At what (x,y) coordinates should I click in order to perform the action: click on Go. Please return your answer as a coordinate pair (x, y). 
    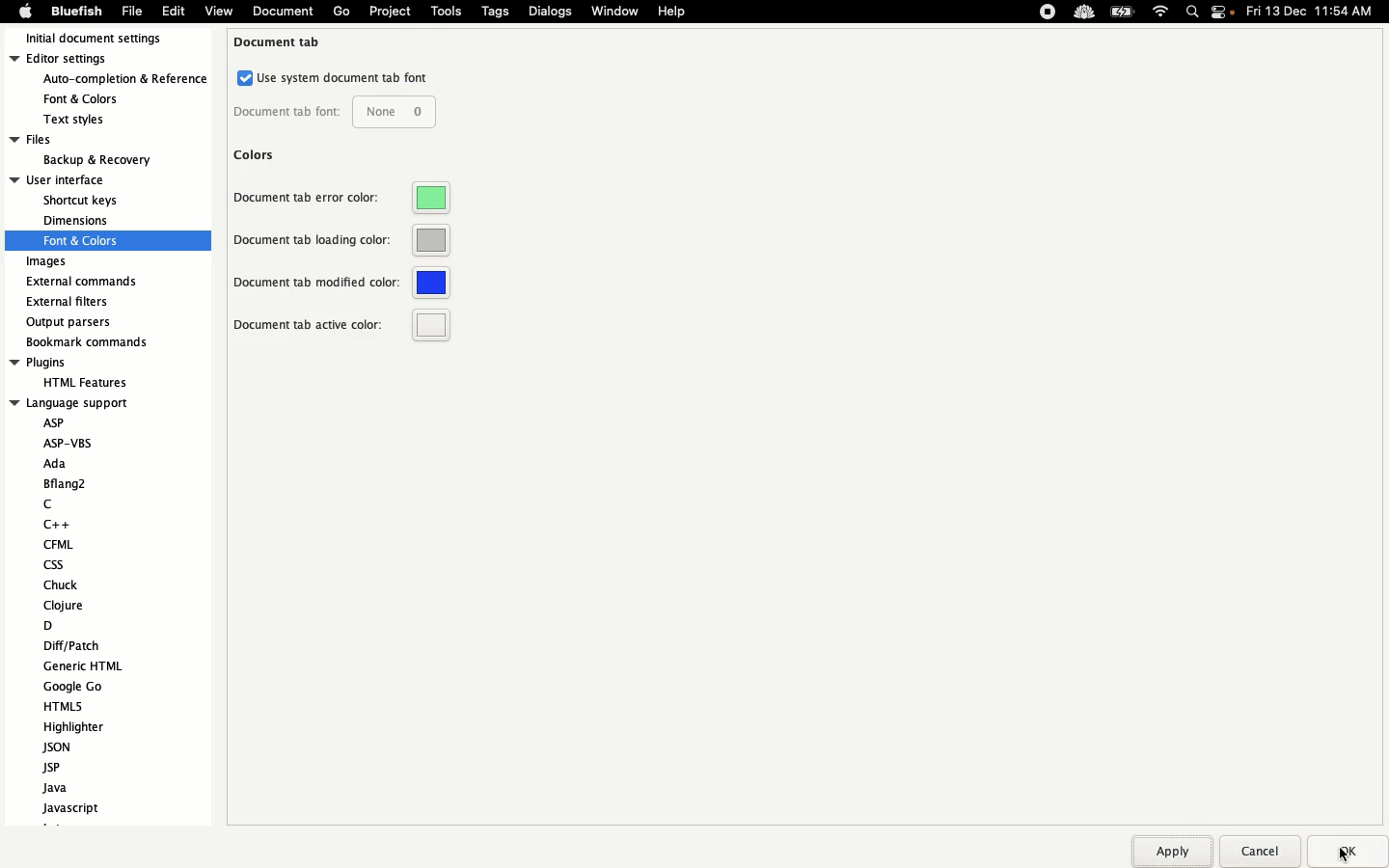
    Looking at the image, I should click on (341, 12).